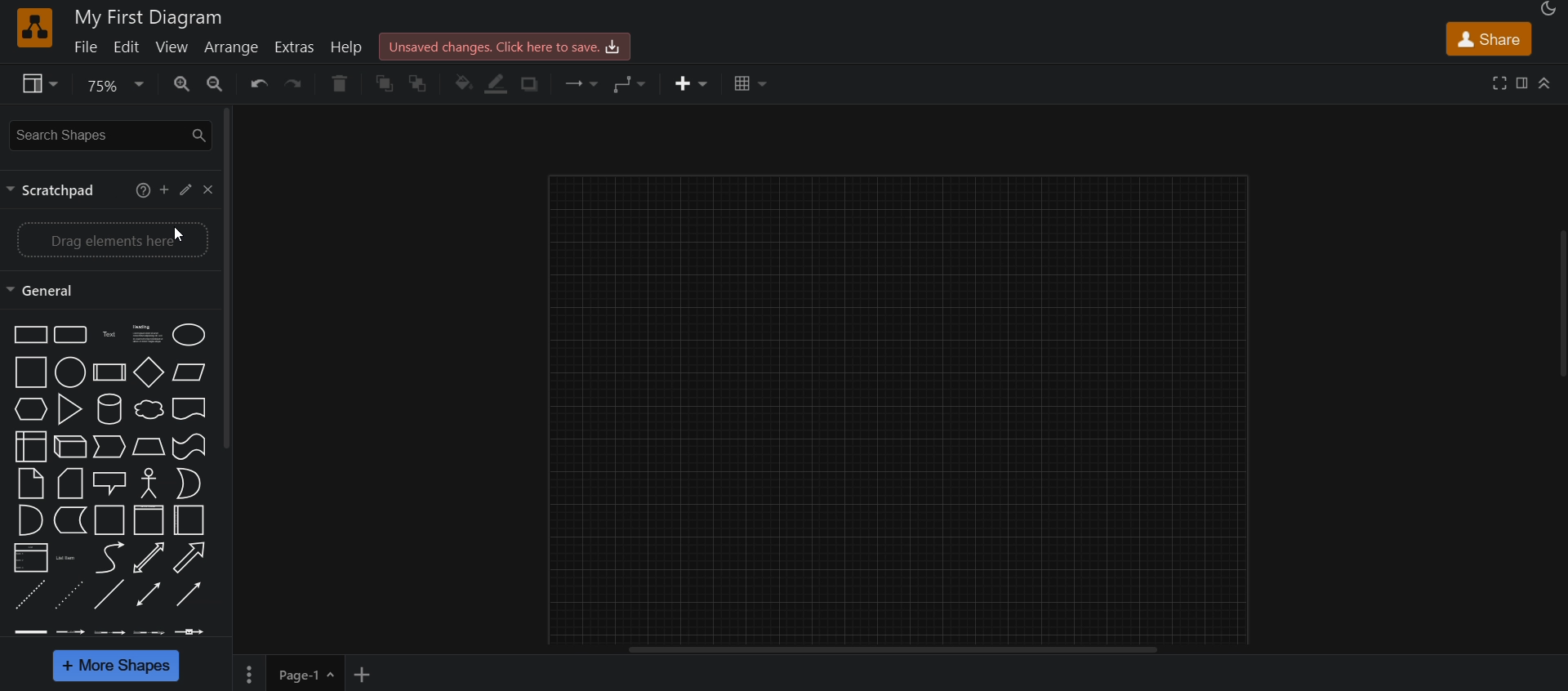  Describe the element at coordinates (148, 370) in the screenshot. I see `200%` at that location.